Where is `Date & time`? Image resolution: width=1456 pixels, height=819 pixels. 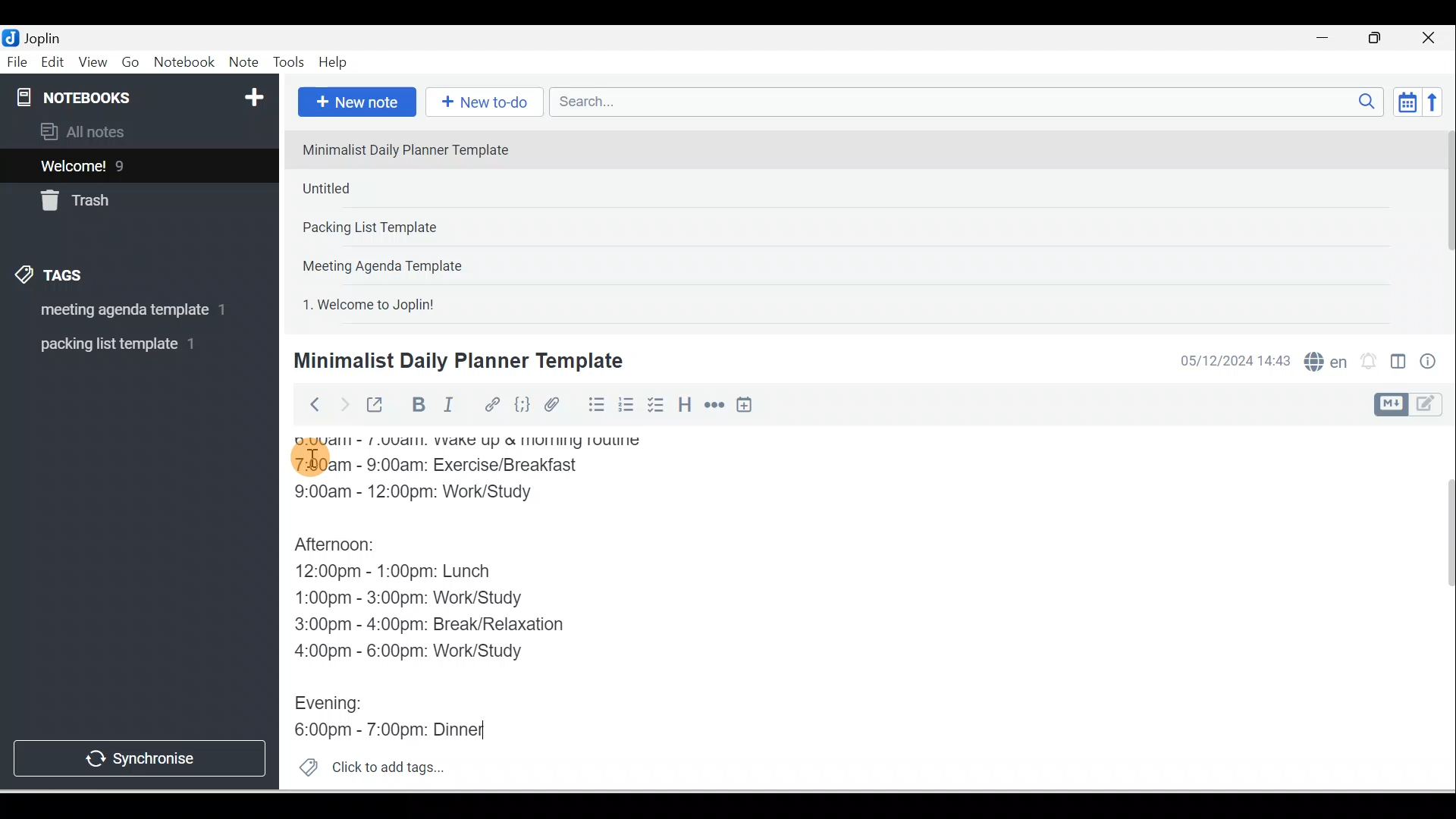 Date & time is located at coordinates (1232, 361).